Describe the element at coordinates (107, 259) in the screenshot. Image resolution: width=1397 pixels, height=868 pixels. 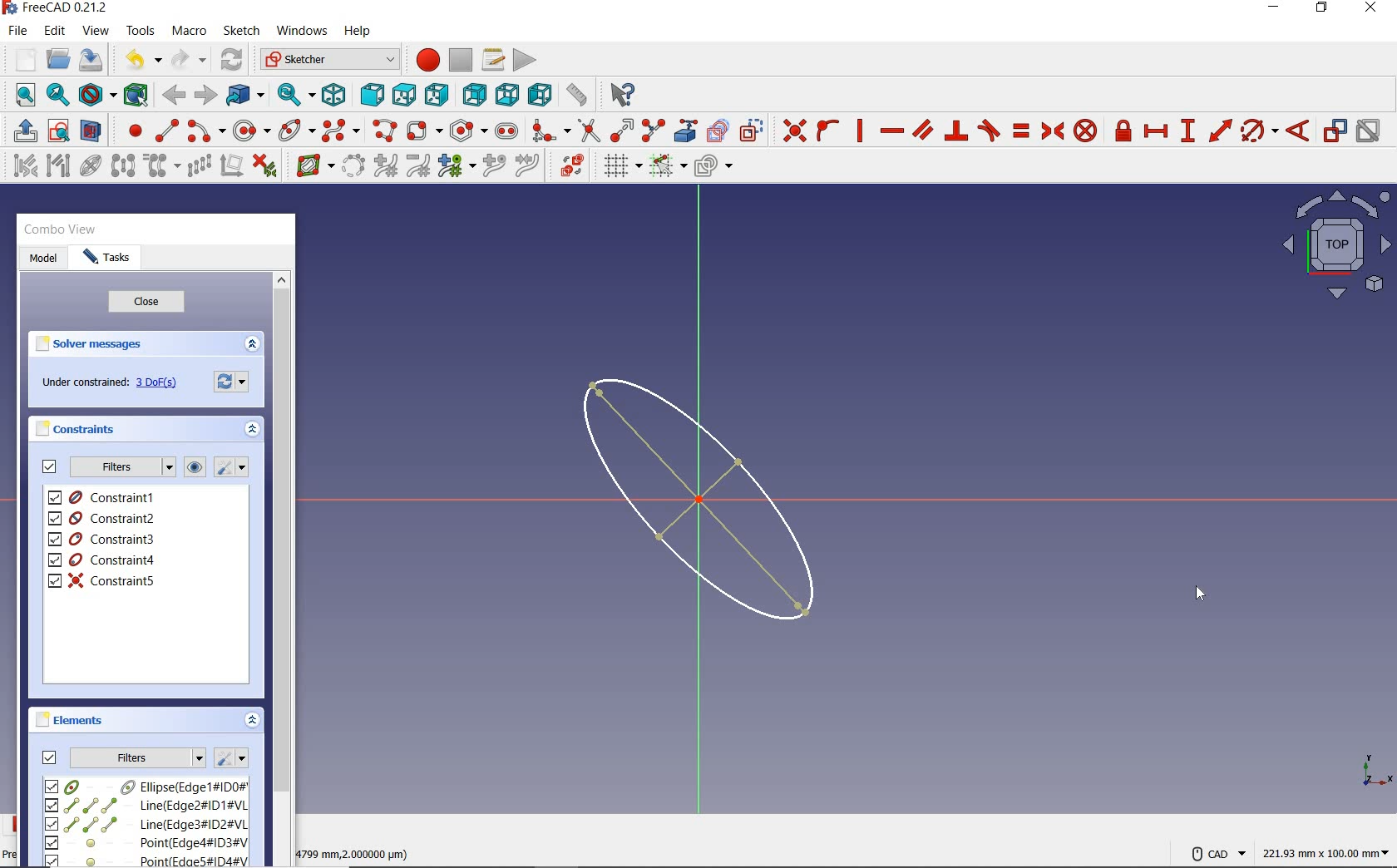
I see `tasks` at that location.